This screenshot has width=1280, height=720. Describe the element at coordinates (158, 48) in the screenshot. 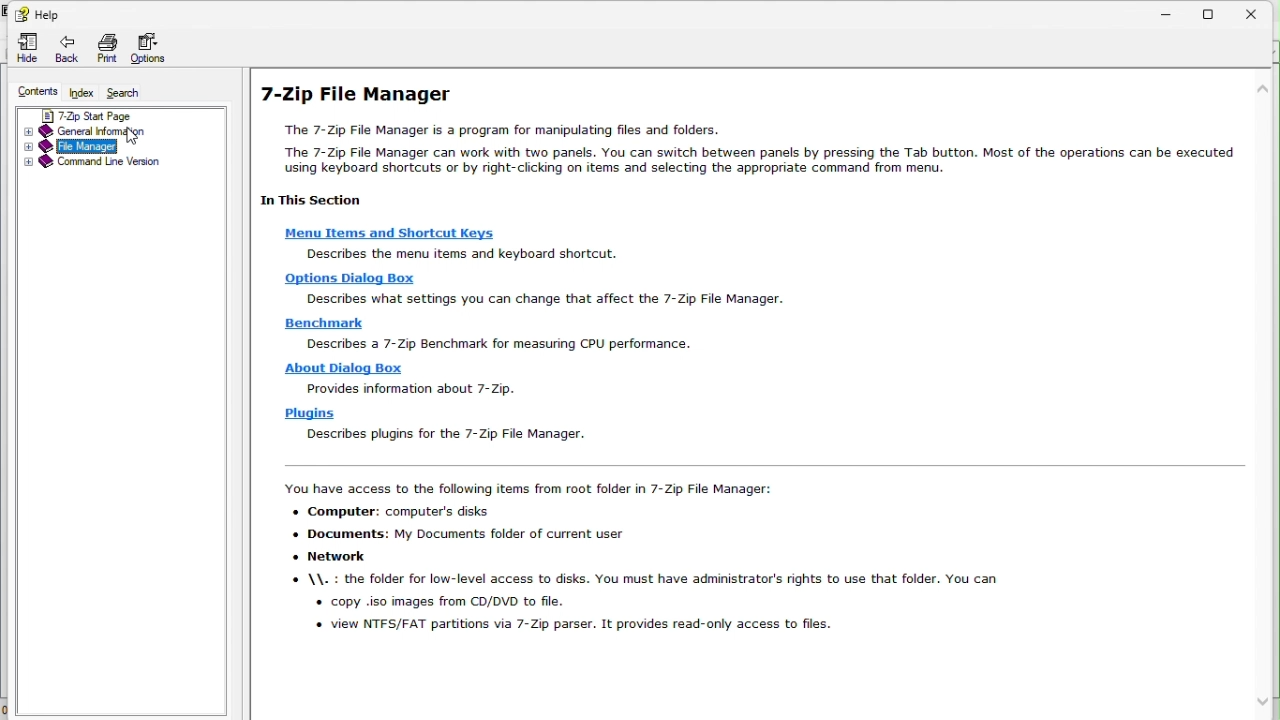

I see `Options` at that location.